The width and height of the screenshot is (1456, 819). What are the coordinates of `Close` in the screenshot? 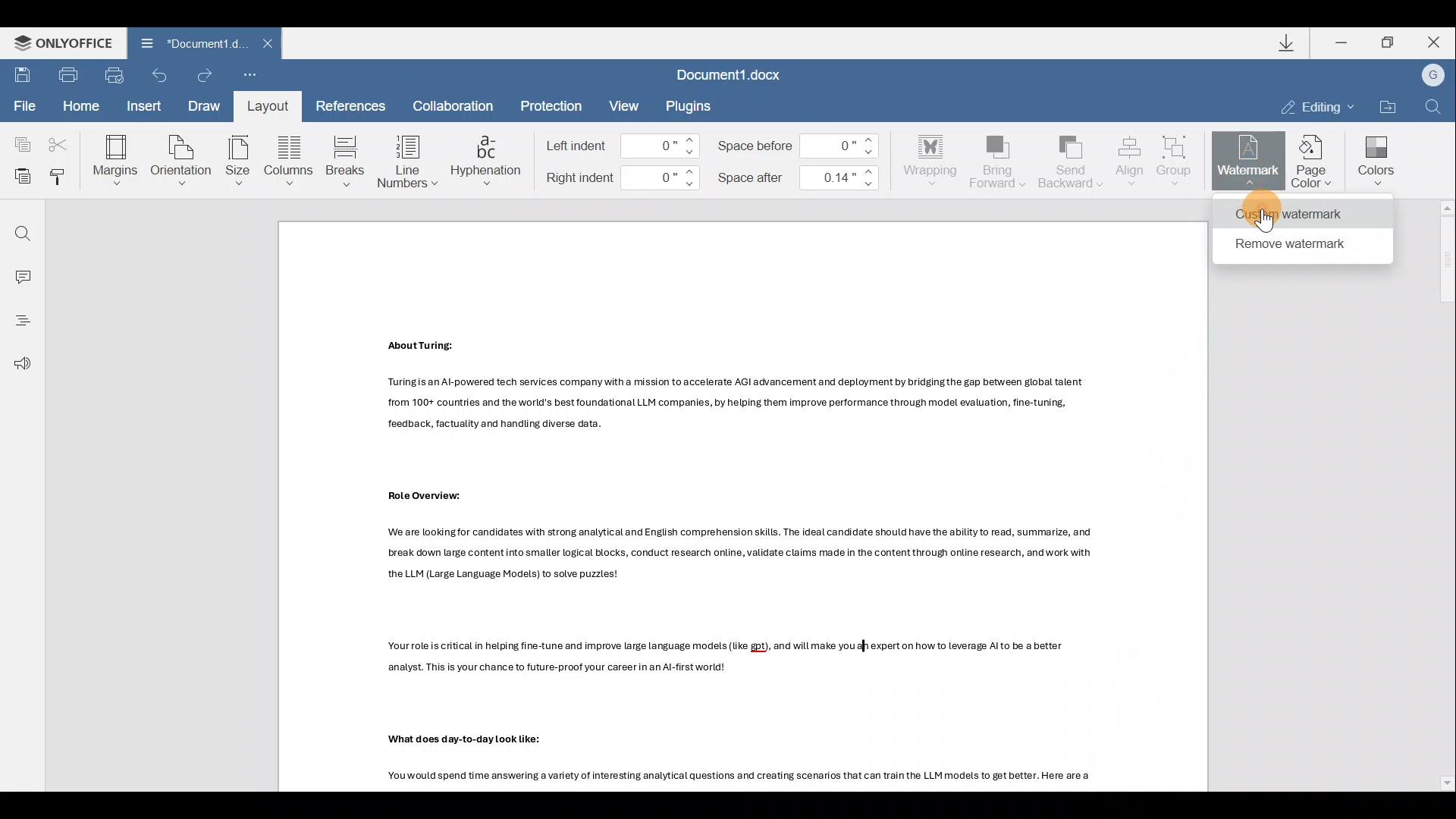 It's located at (271, 43).